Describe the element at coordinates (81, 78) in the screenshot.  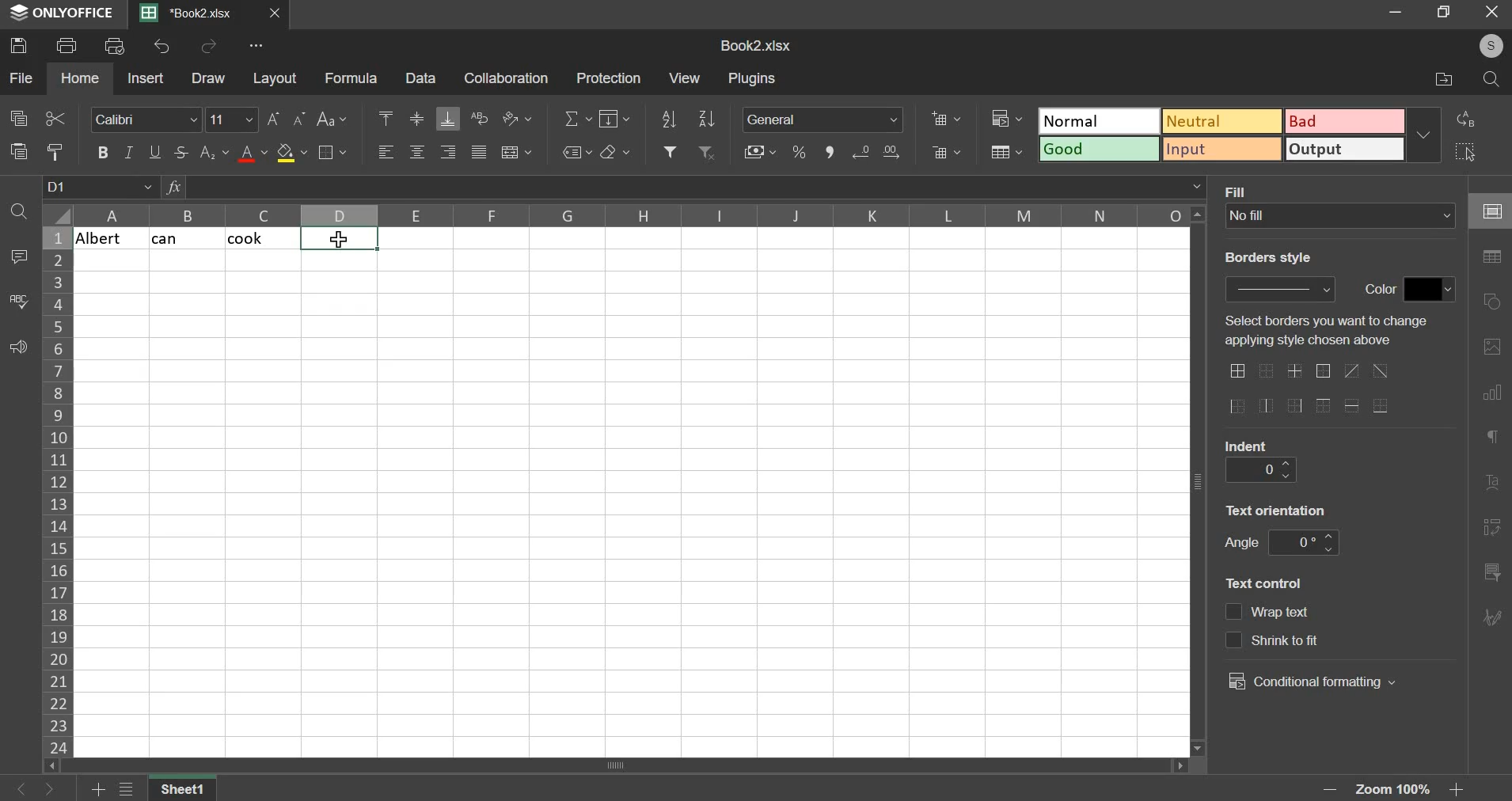
I see `home` at that location.